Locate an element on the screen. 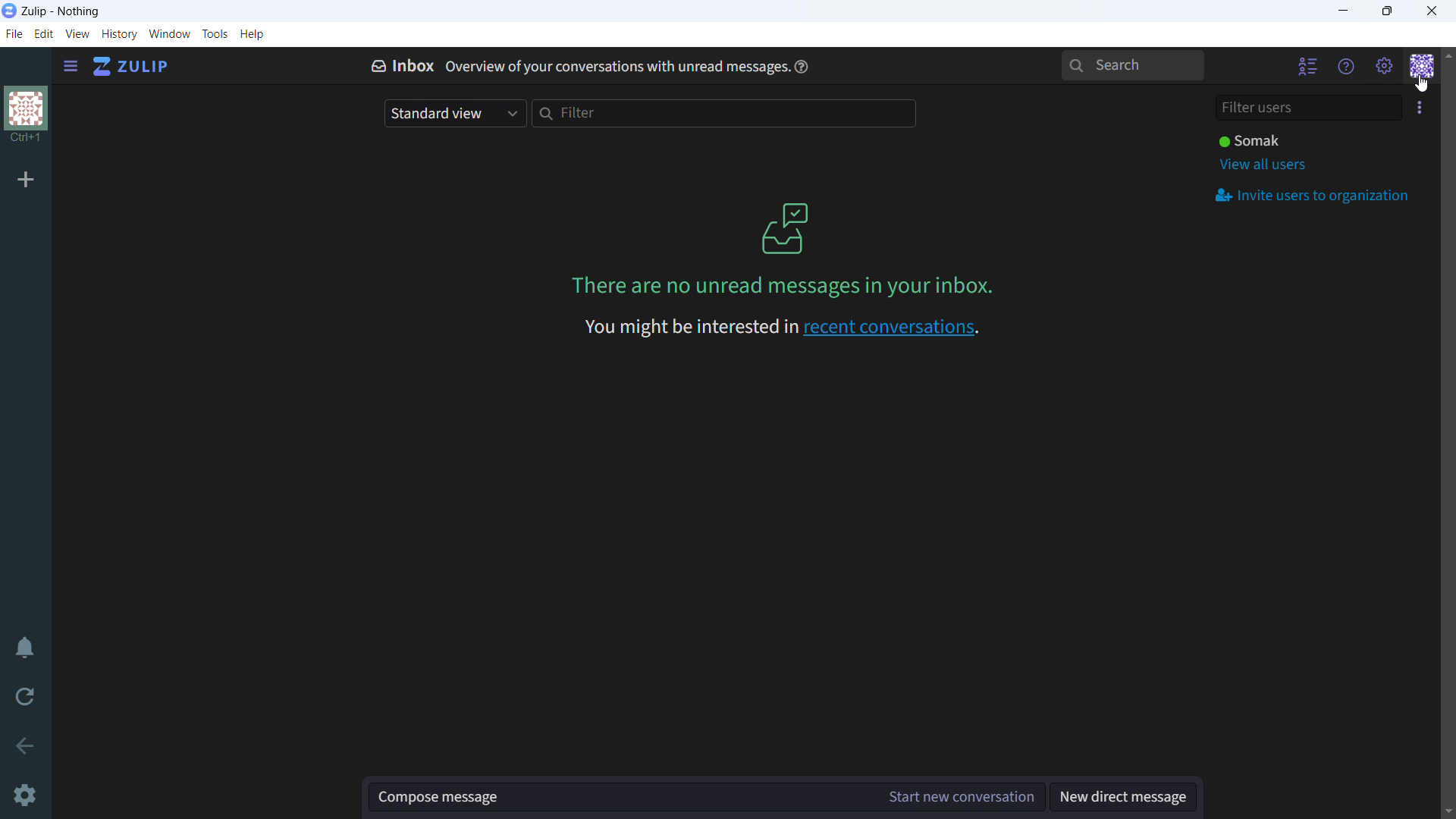  cursor is located at coordinates (1422, 83).